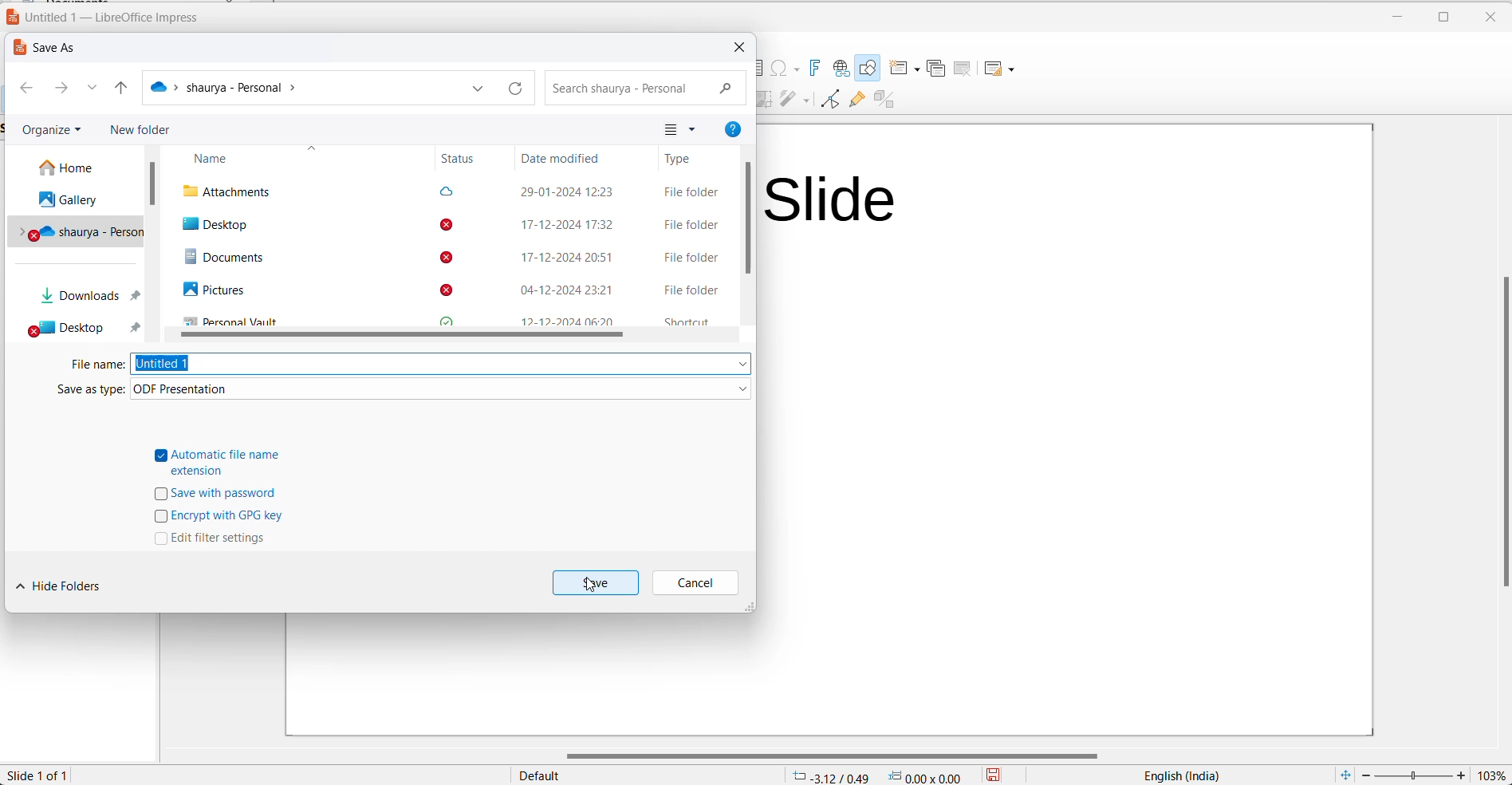 This screenshot has width=1512, height=785. What do you see at coordinates (828, 101) in the screenshot?
I see `Toggle end point edit mode` at bounding box center [828, 101].